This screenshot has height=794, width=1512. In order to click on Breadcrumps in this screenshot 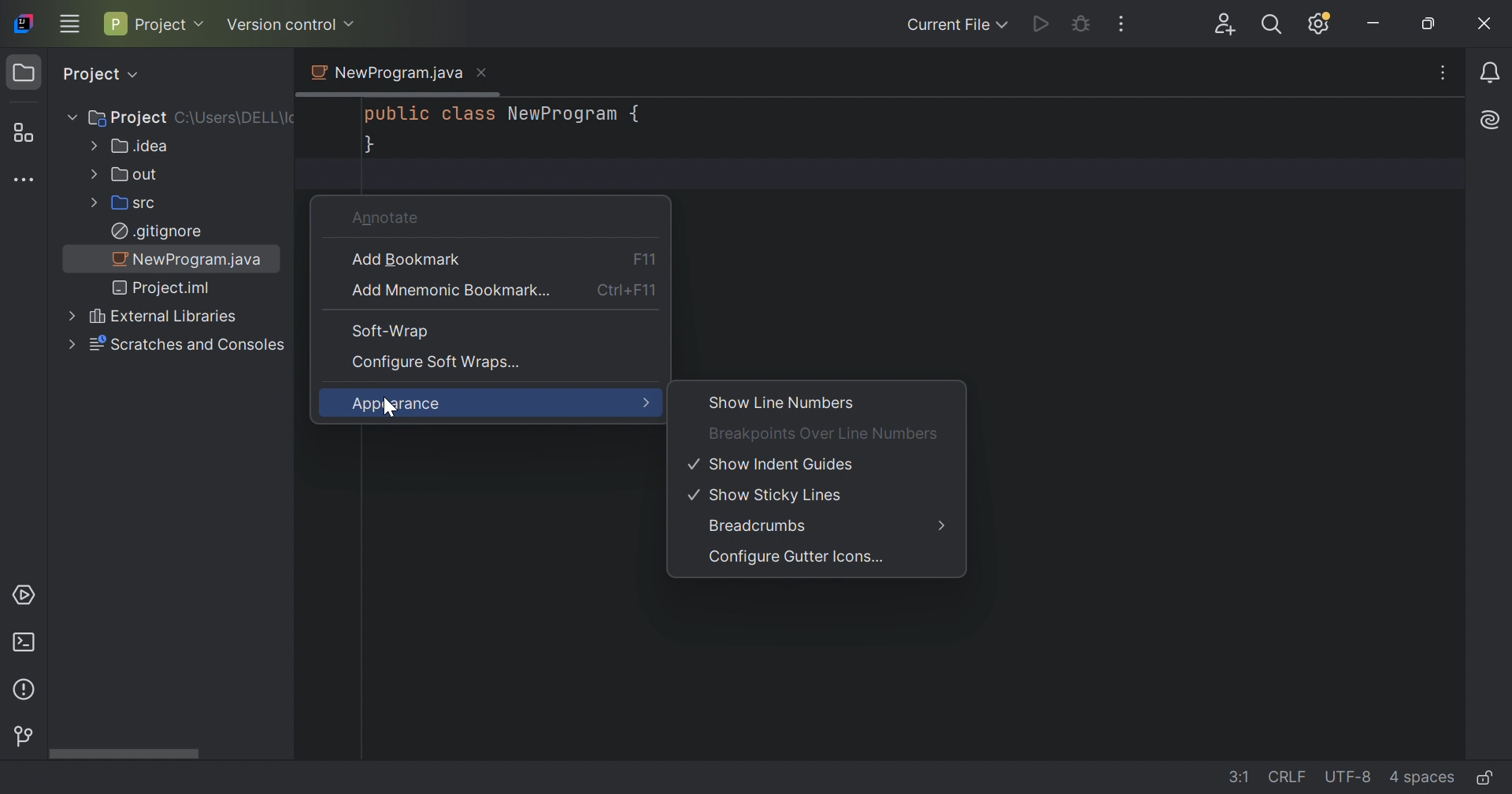, I will do `click(759, 525)`.